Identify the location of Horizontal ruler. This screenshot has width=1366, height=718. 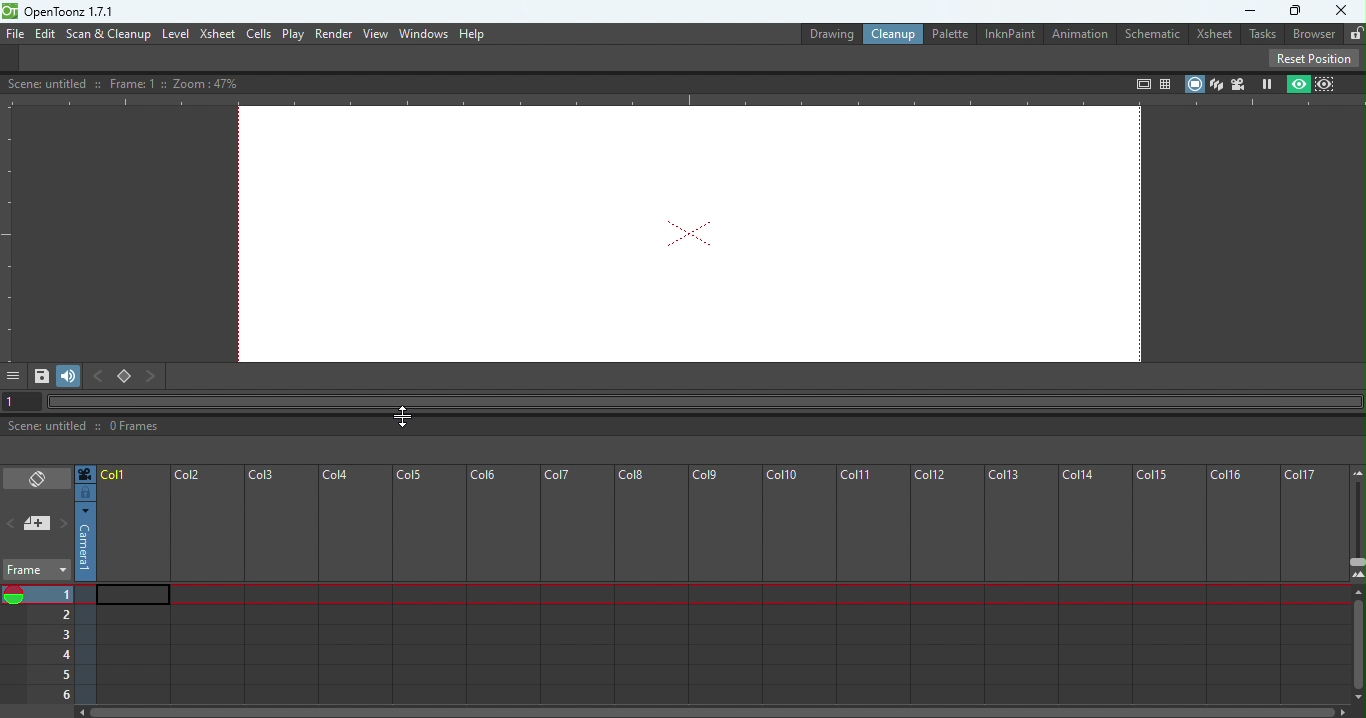
(683, 101).